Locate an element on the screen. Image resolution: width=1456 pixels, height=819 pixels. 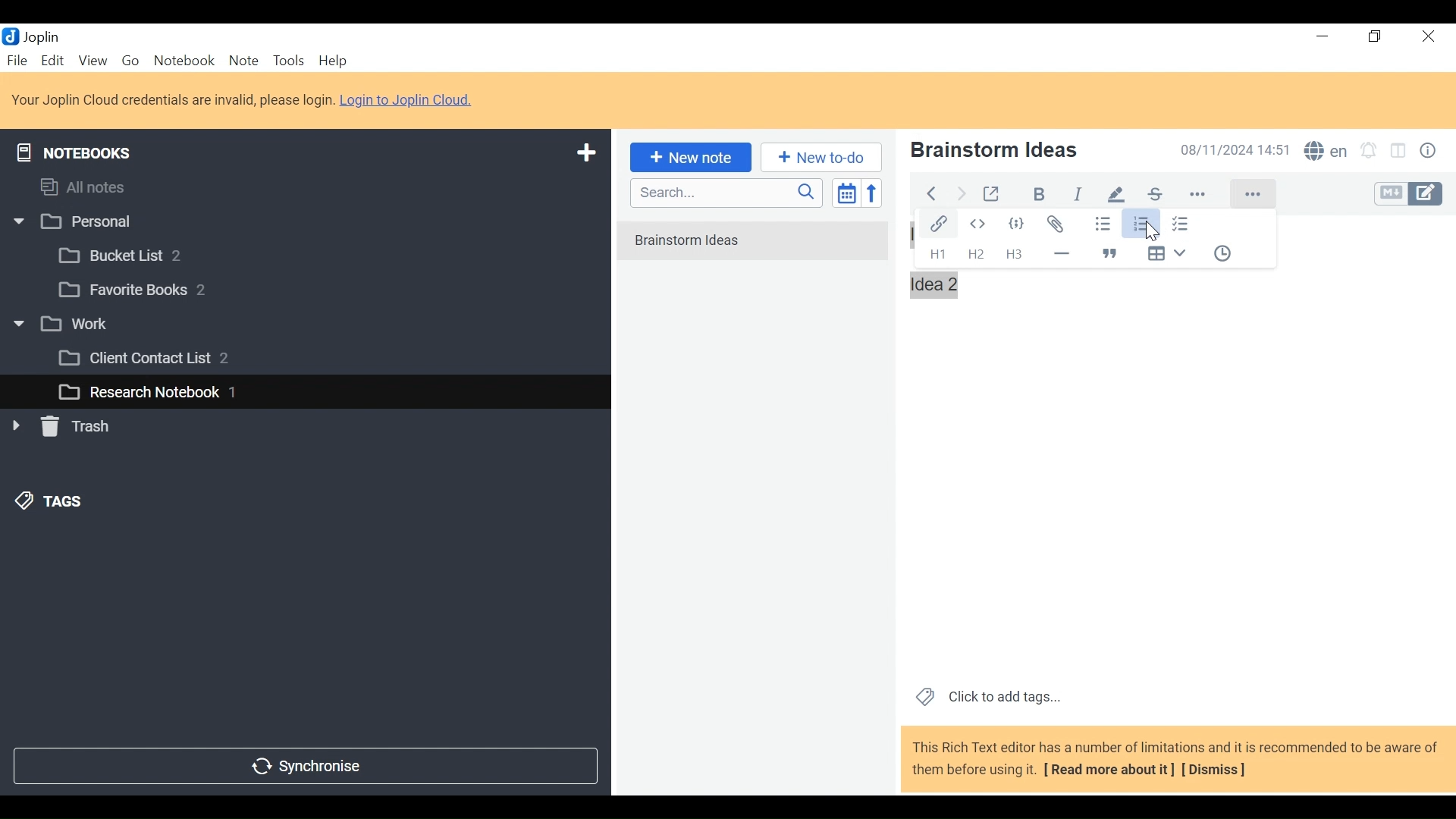
Code Block is located at coordinates (1015, 225).